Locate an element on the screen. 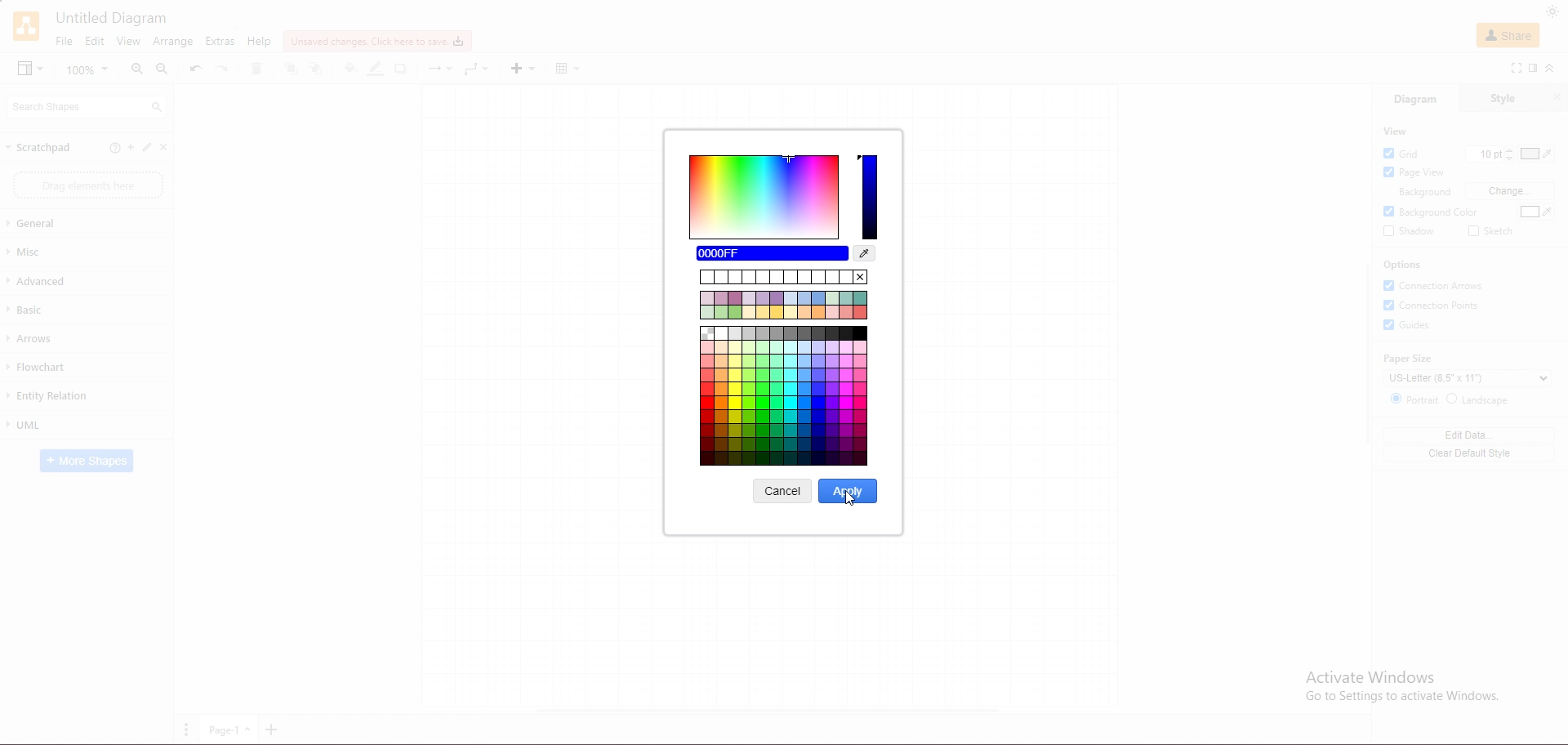 The image size is (1568, 745). waterdrop is located at coordinates (864, 254).